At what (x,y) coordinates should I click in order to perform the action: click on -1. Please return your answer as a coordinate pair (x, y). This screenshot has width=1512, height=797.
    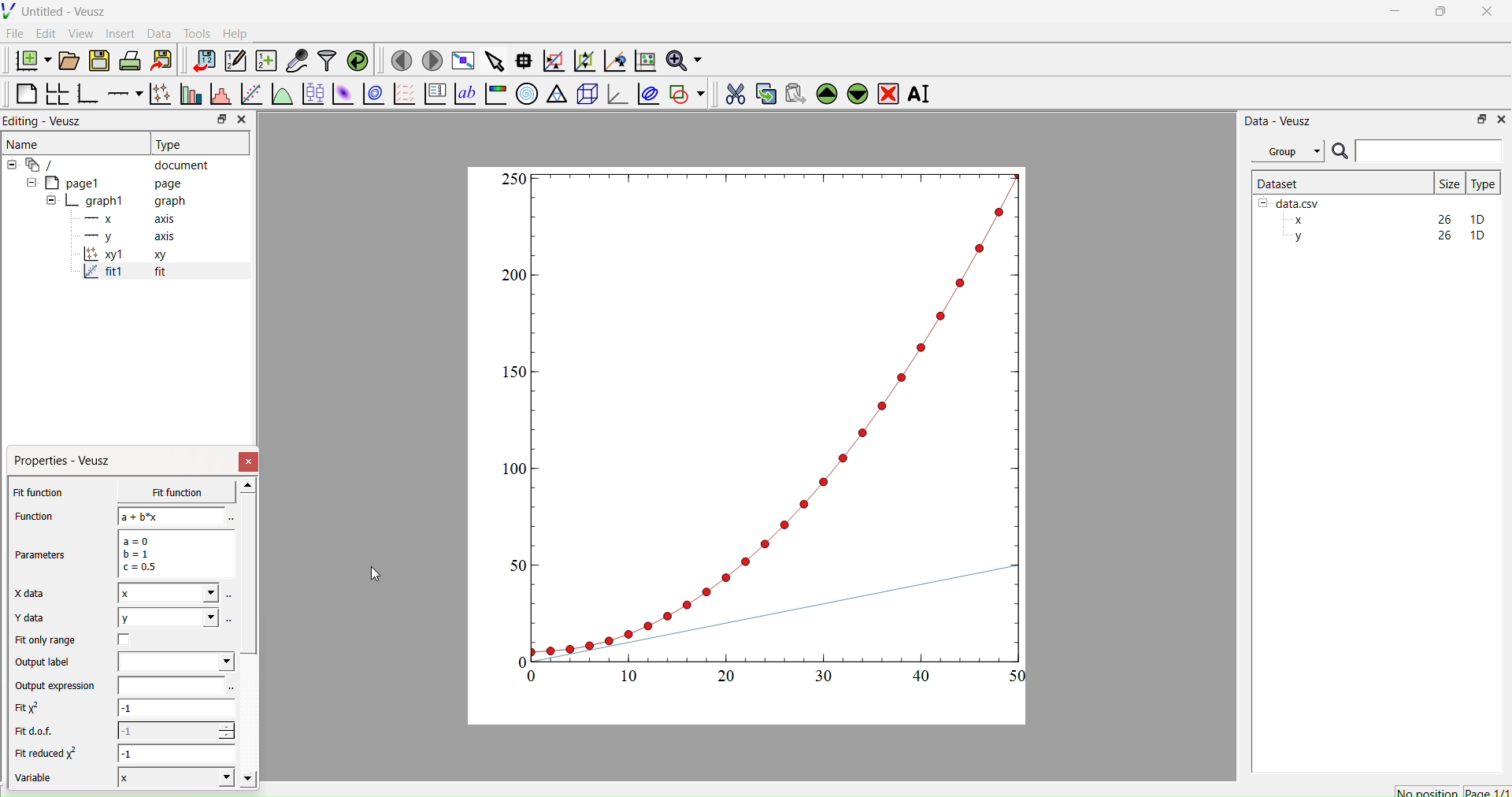
    Looking at the image, I should click on (178, 753).